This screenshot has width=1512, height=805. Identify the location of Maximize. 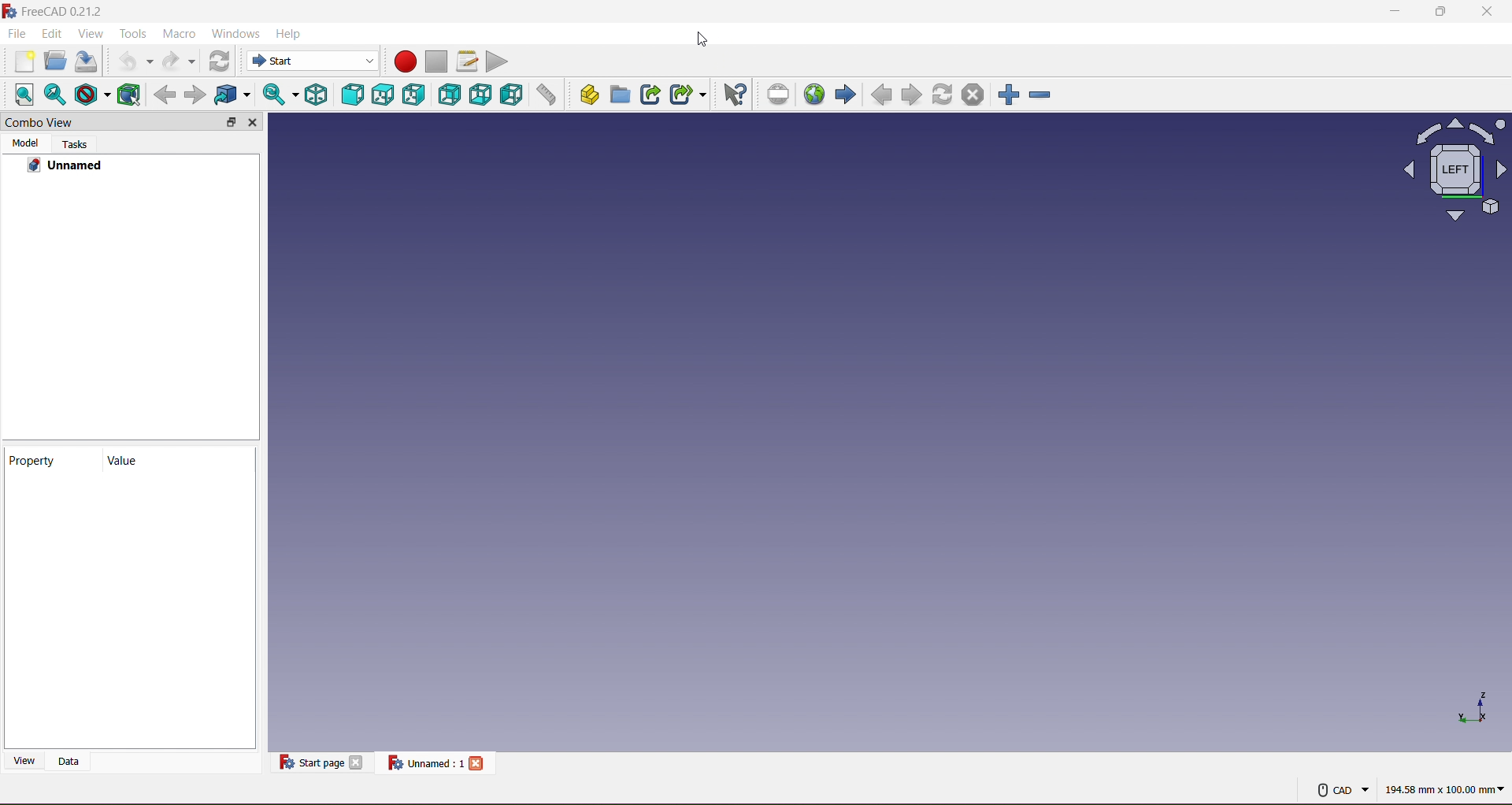
(230, 122).